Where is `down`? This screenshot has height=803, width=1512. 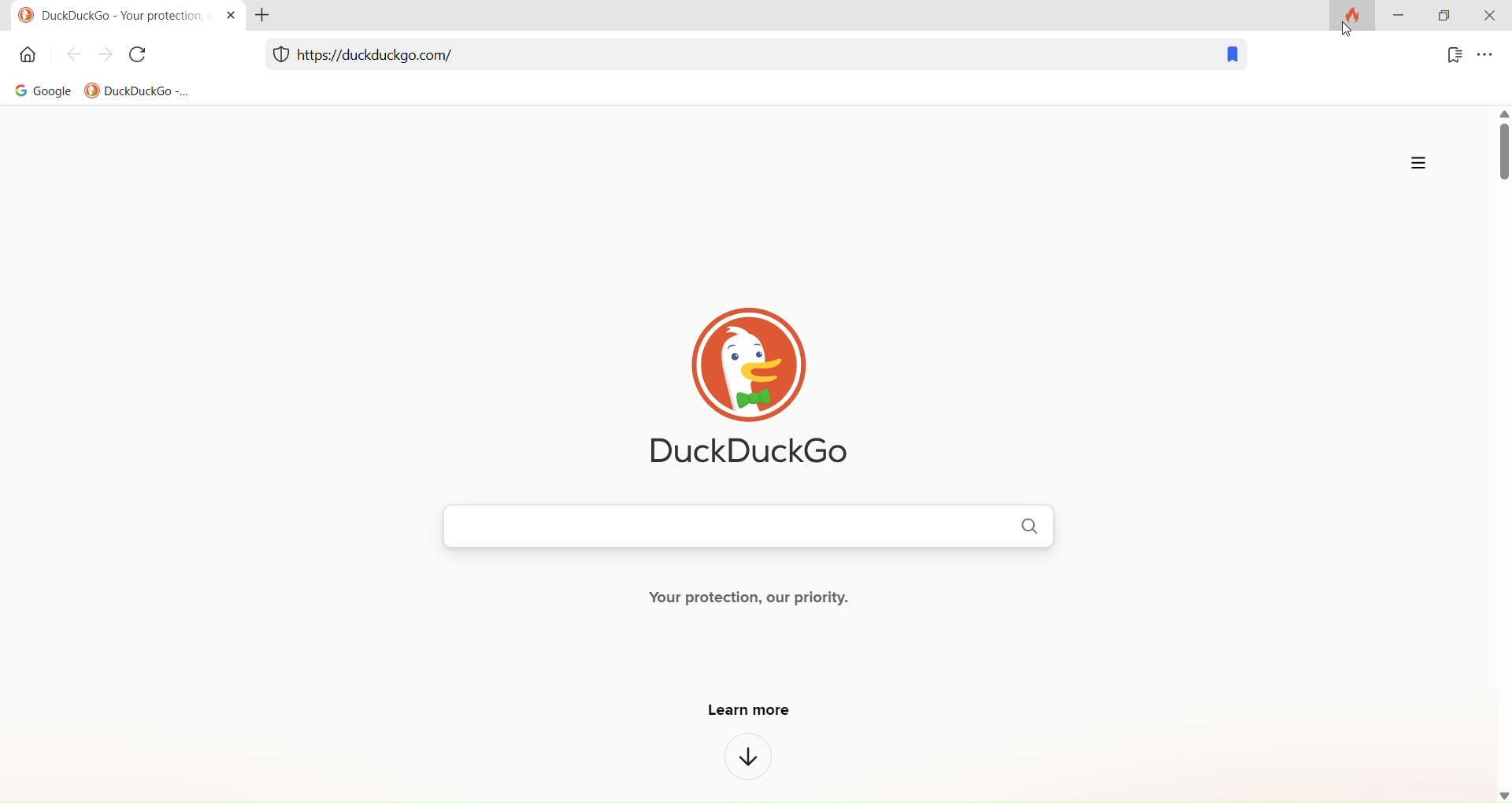 down is located at coordinates (1496, 796).